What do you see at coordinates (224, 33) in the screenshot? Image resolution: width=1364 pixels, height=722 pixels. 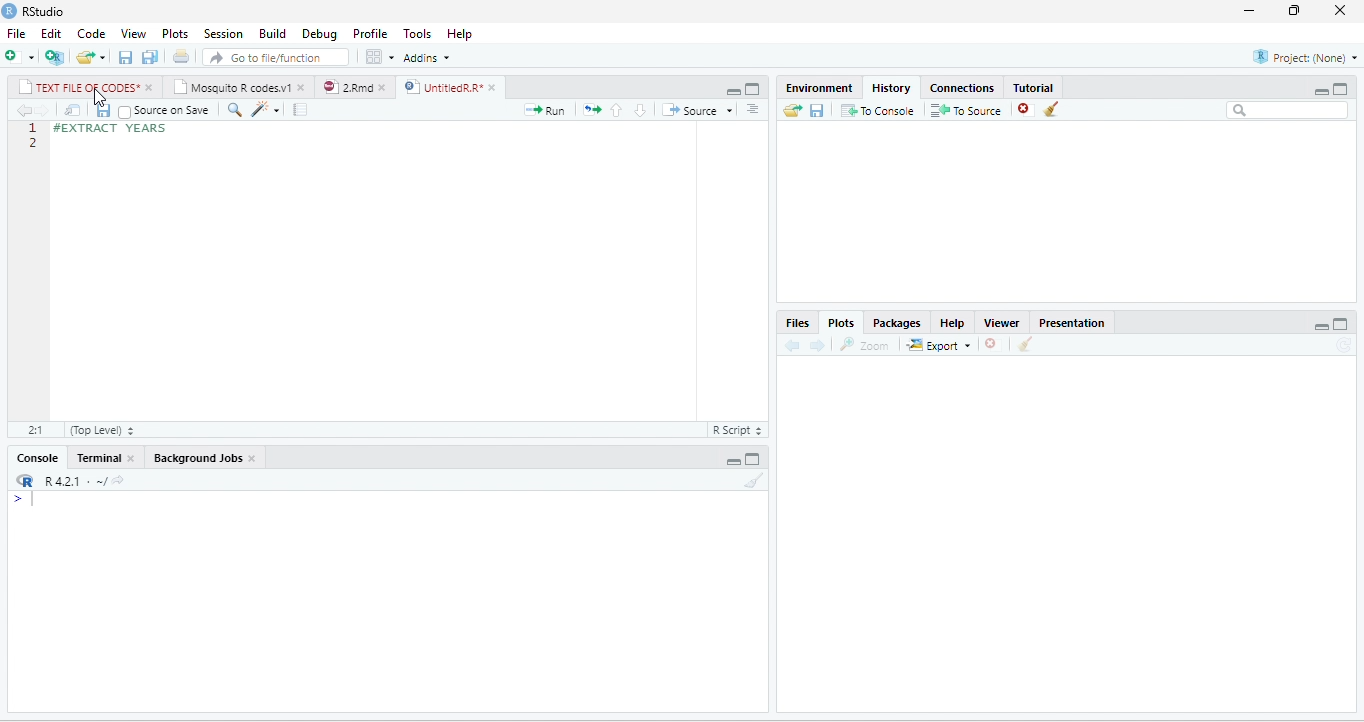 I see `Session` at bounding box center [224, 33].